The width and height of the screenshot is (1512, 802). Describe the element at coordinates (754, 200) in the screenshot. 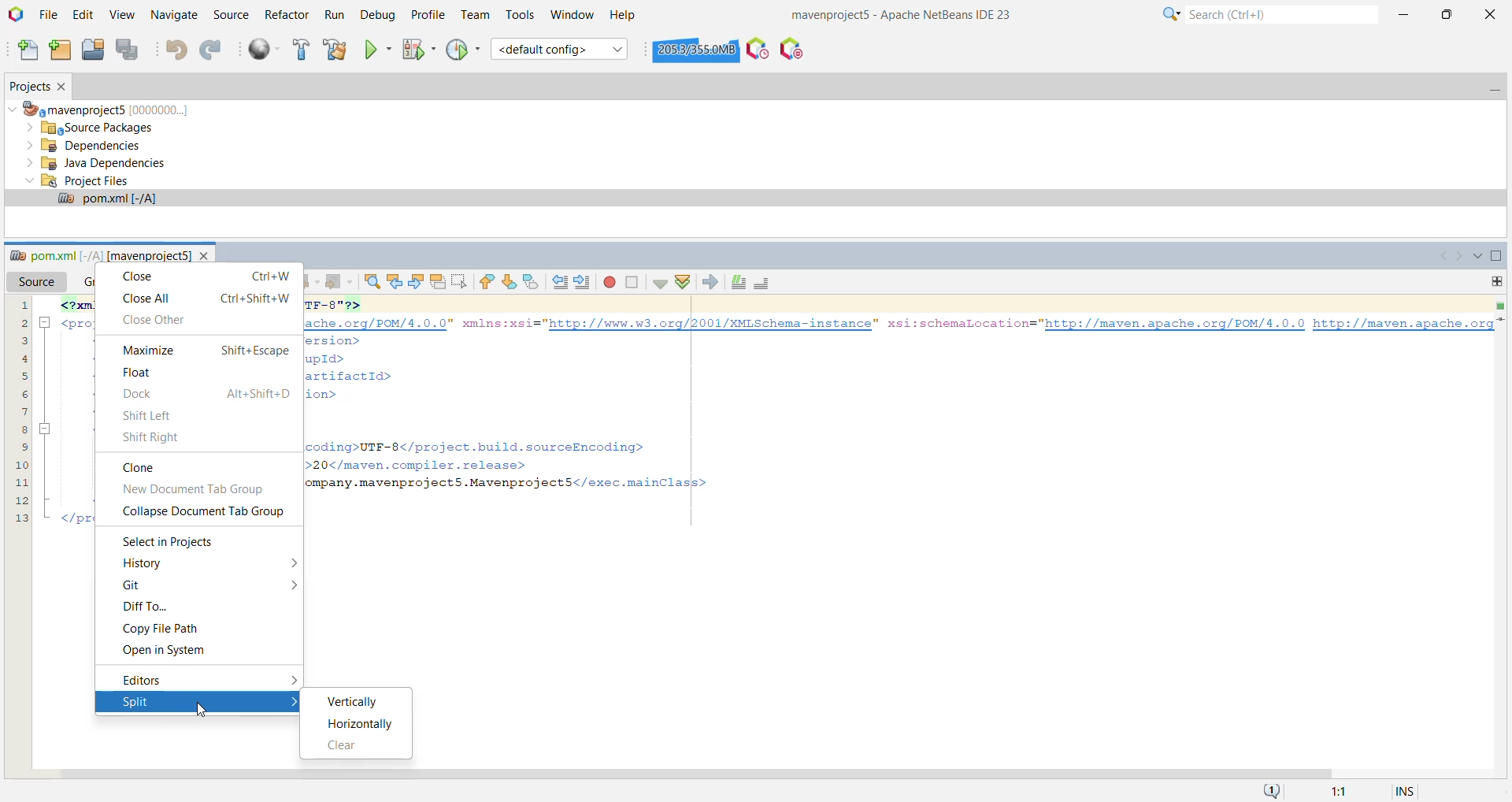

I see `pom.xml file opened` at that location.